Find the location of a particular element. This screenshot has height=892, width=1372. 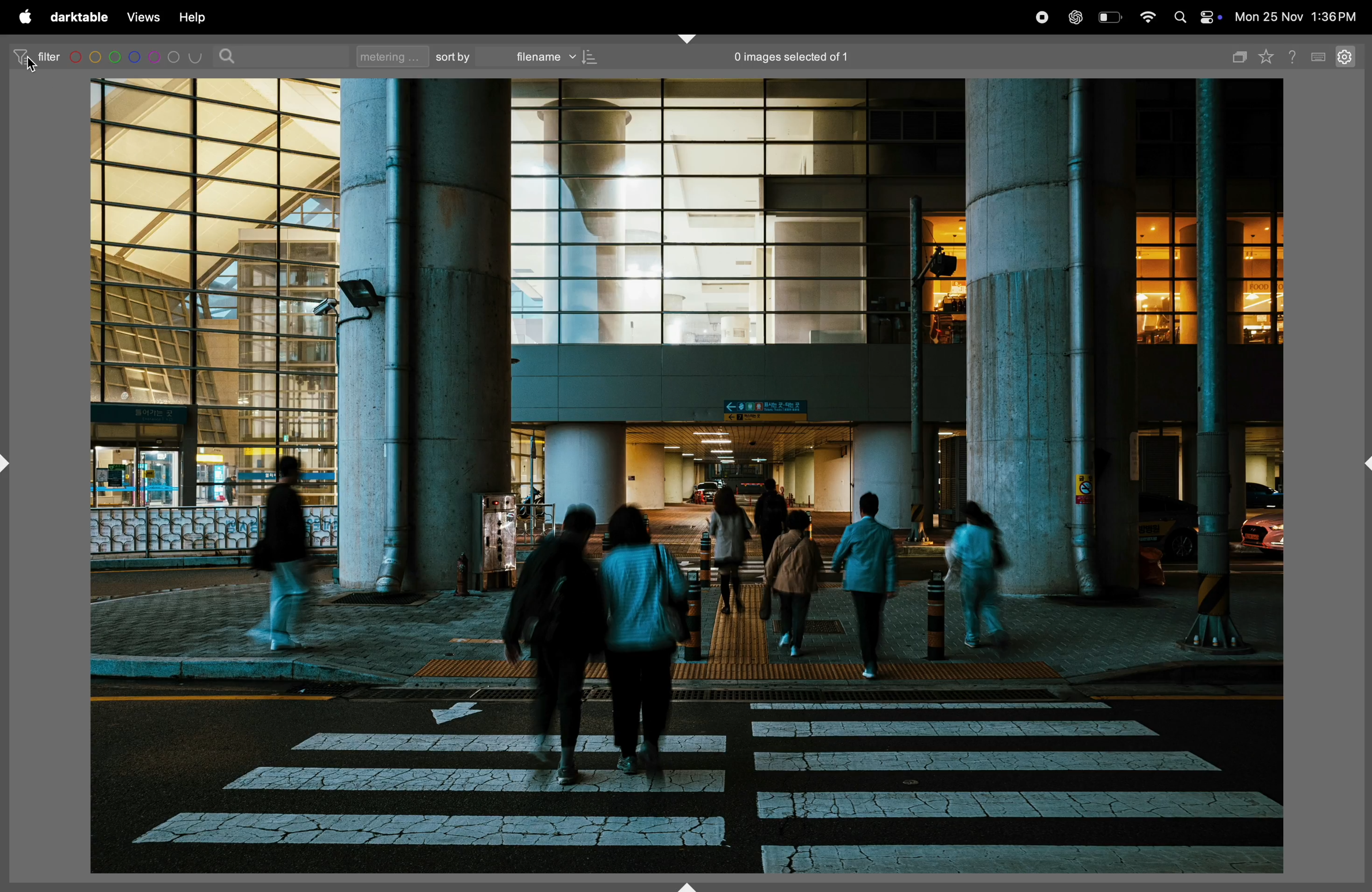

no of images selected is located at coordinates (790, 58).